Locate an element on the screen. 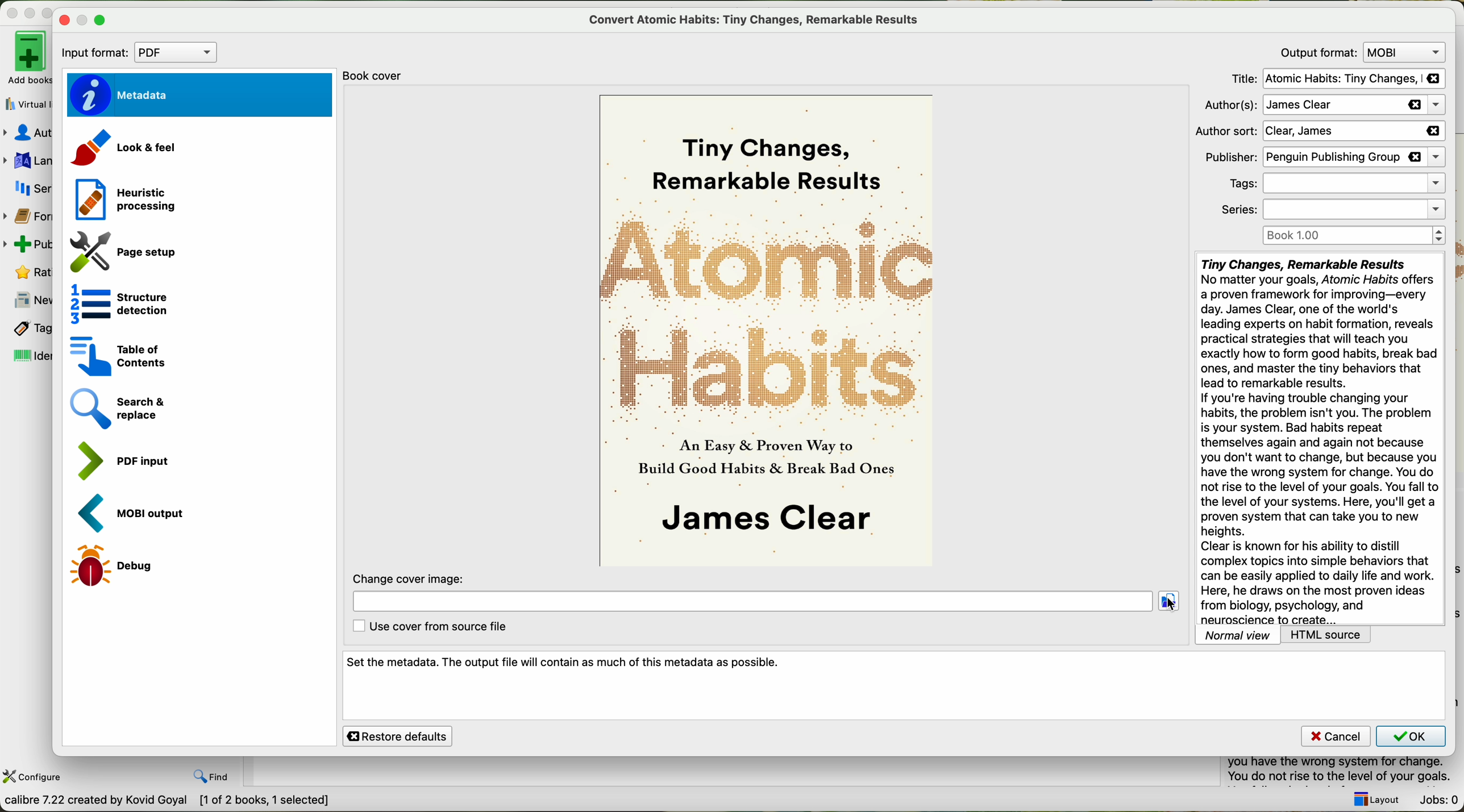 Image resolution: width=1464 pixels, height=812 pixels. structure detection is located at coordinates (122, 303).